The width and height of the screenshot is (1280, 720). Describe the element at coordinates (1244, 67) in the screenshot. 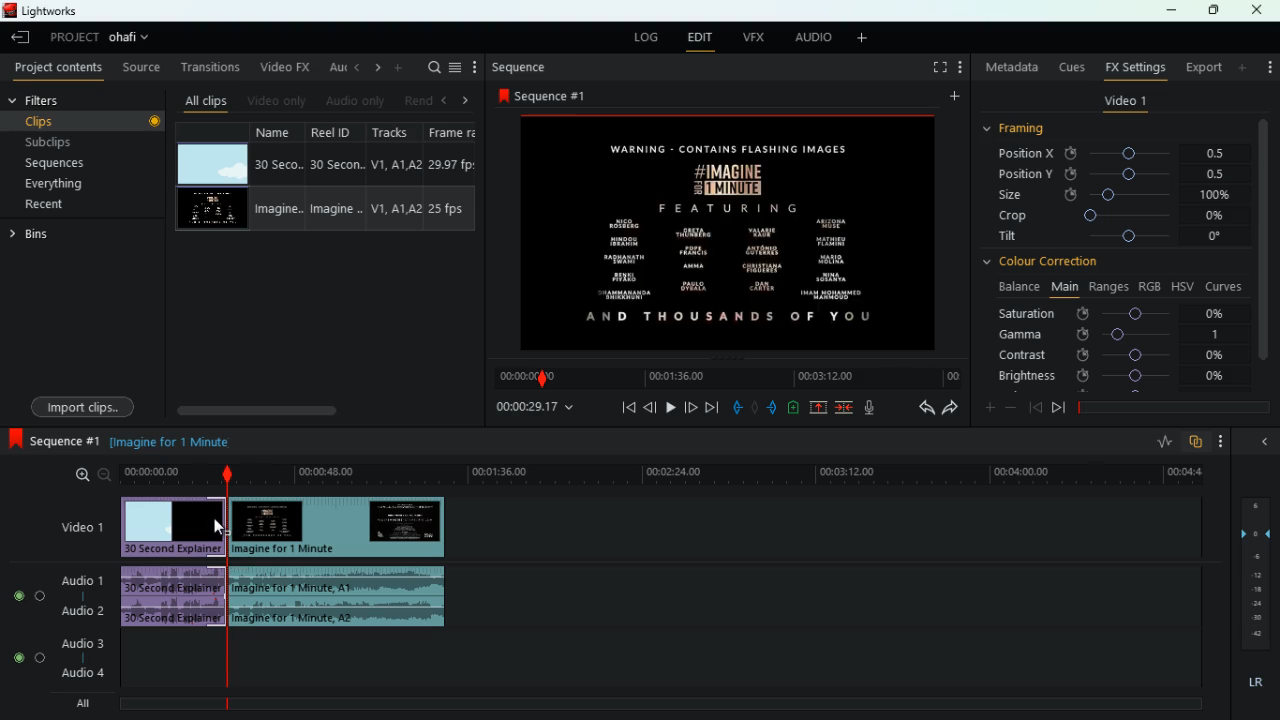

I see `more` at that location.